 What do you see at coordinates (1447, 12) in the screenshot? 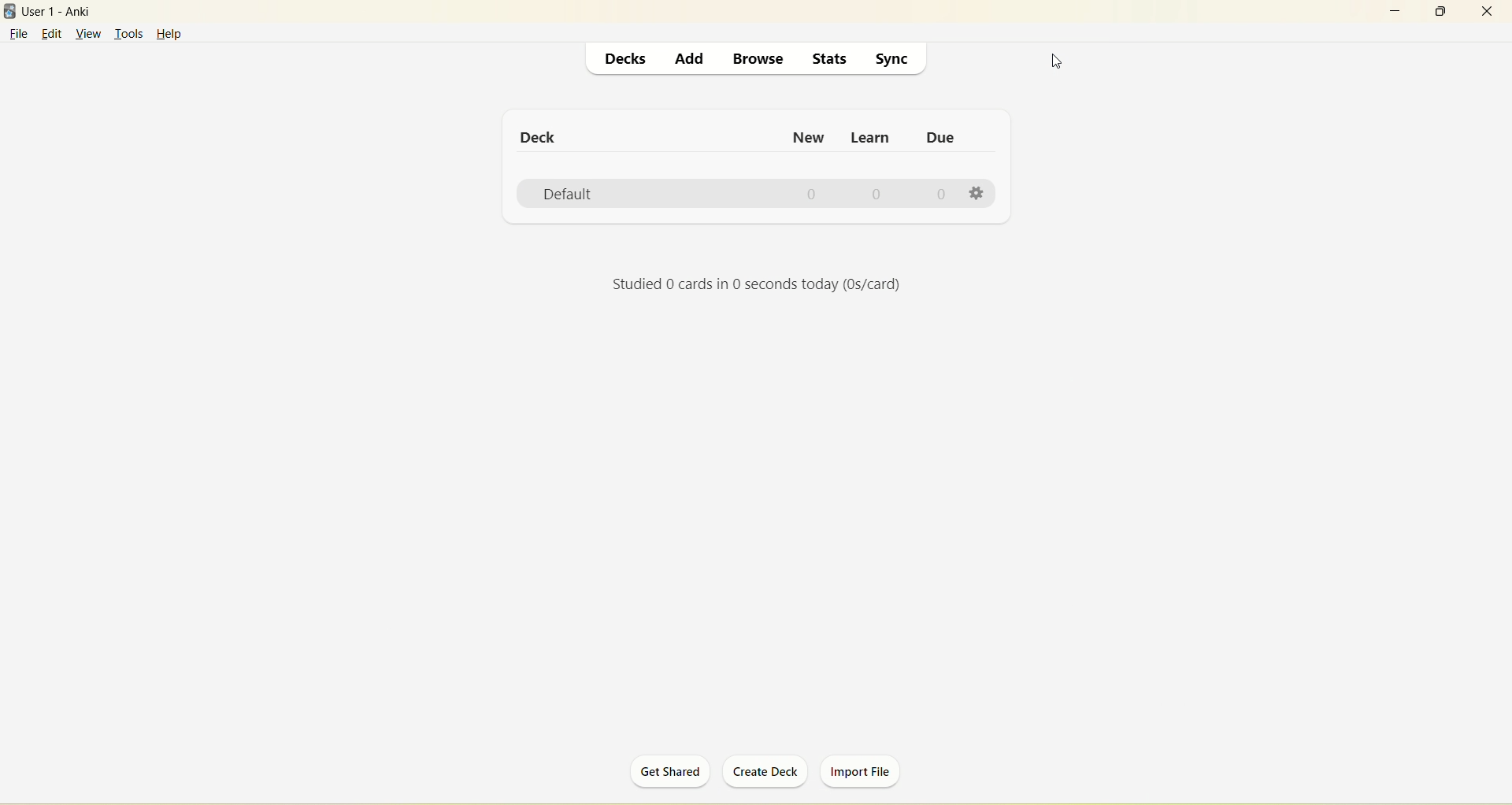
I see `maximize` at bounding box center [1447, 12].